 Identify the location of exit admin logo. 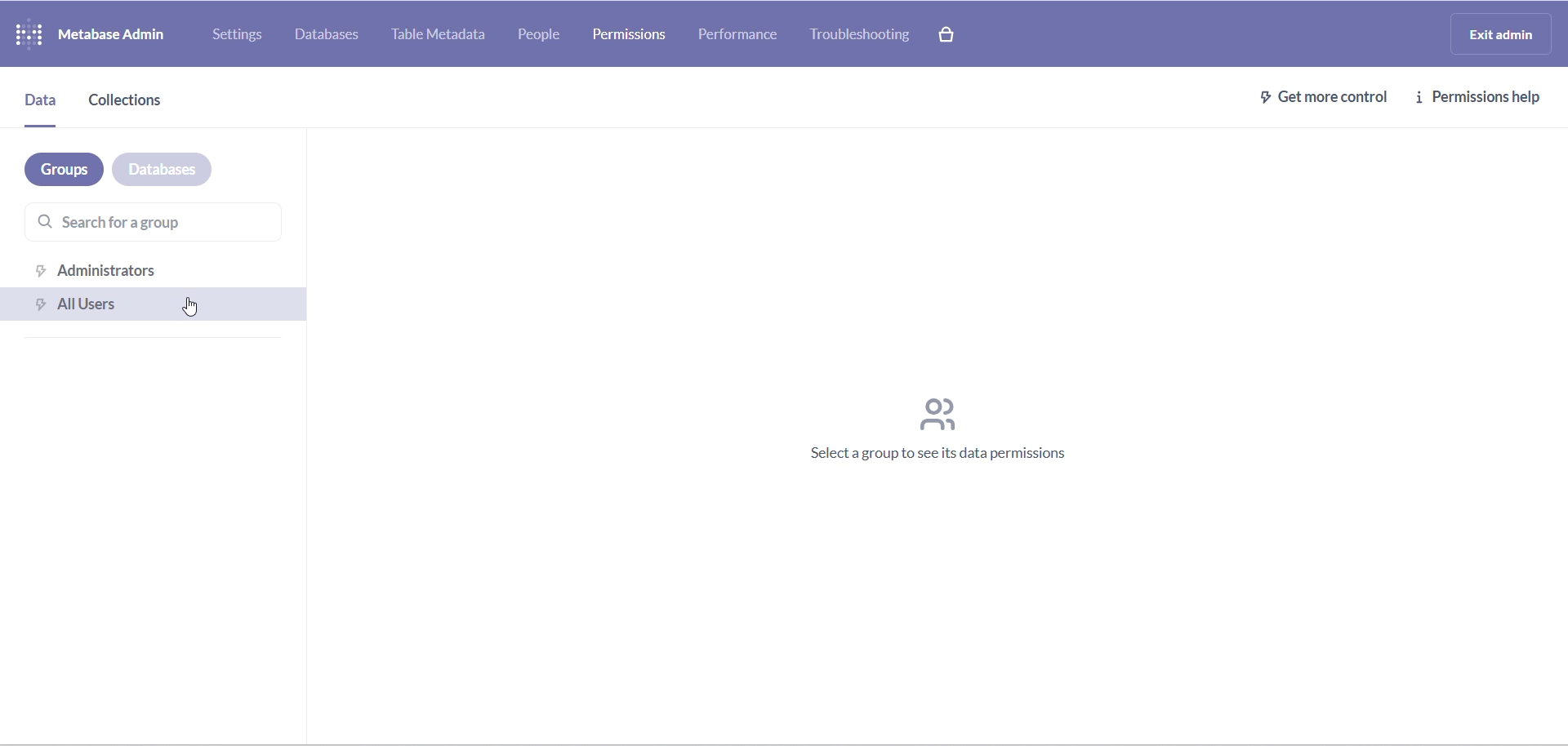
(1506, 36).